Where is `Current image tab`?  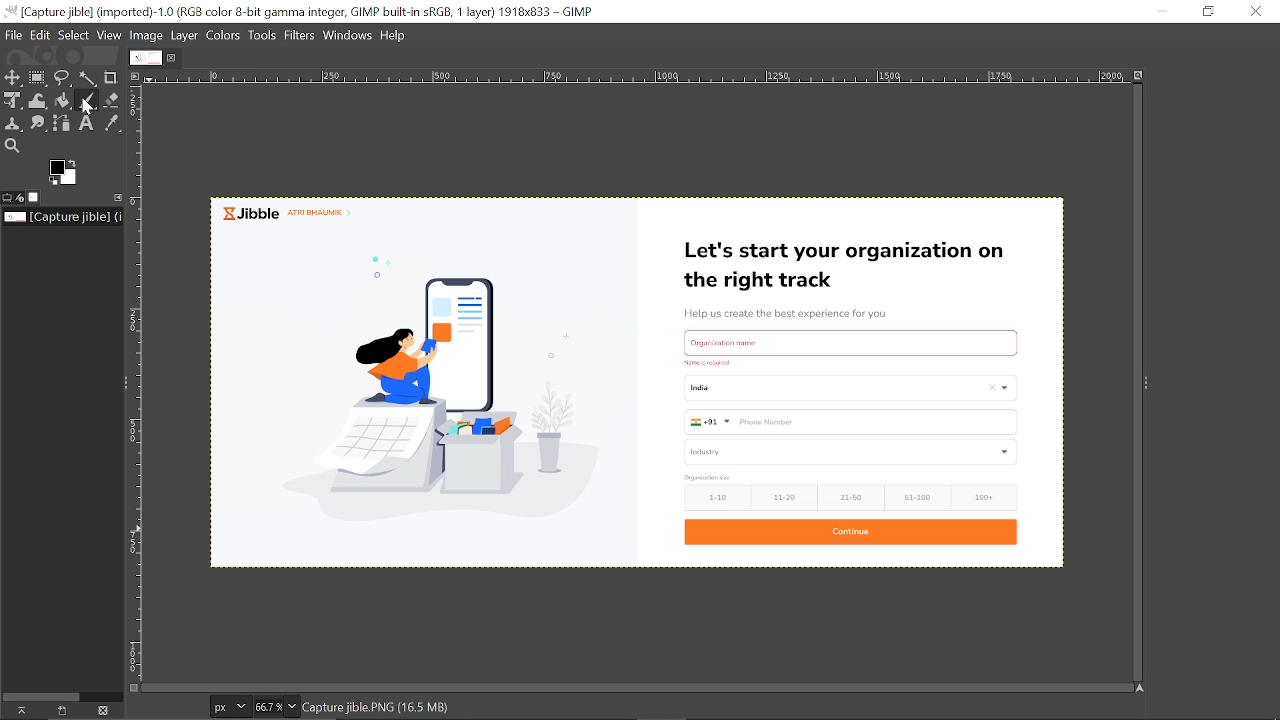
Current image tab is located at coordinates (146, 58).